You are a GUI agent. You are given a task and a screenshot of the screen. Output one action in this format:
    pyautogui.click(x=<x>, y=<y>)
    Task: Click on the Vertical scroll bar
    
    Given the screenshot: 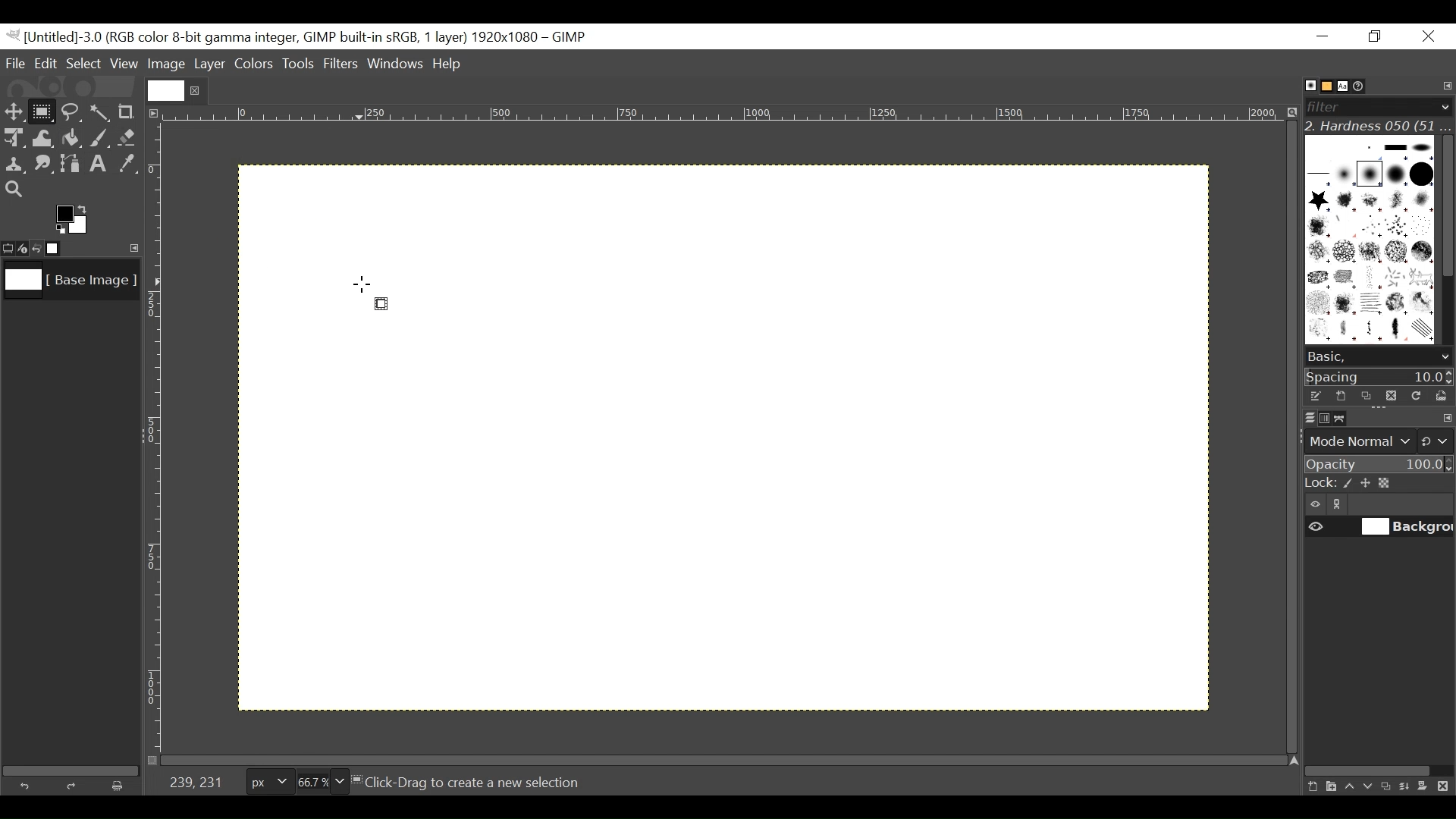 What is the action you would take?
    pyautogui.click(x=1445, y=204)
    